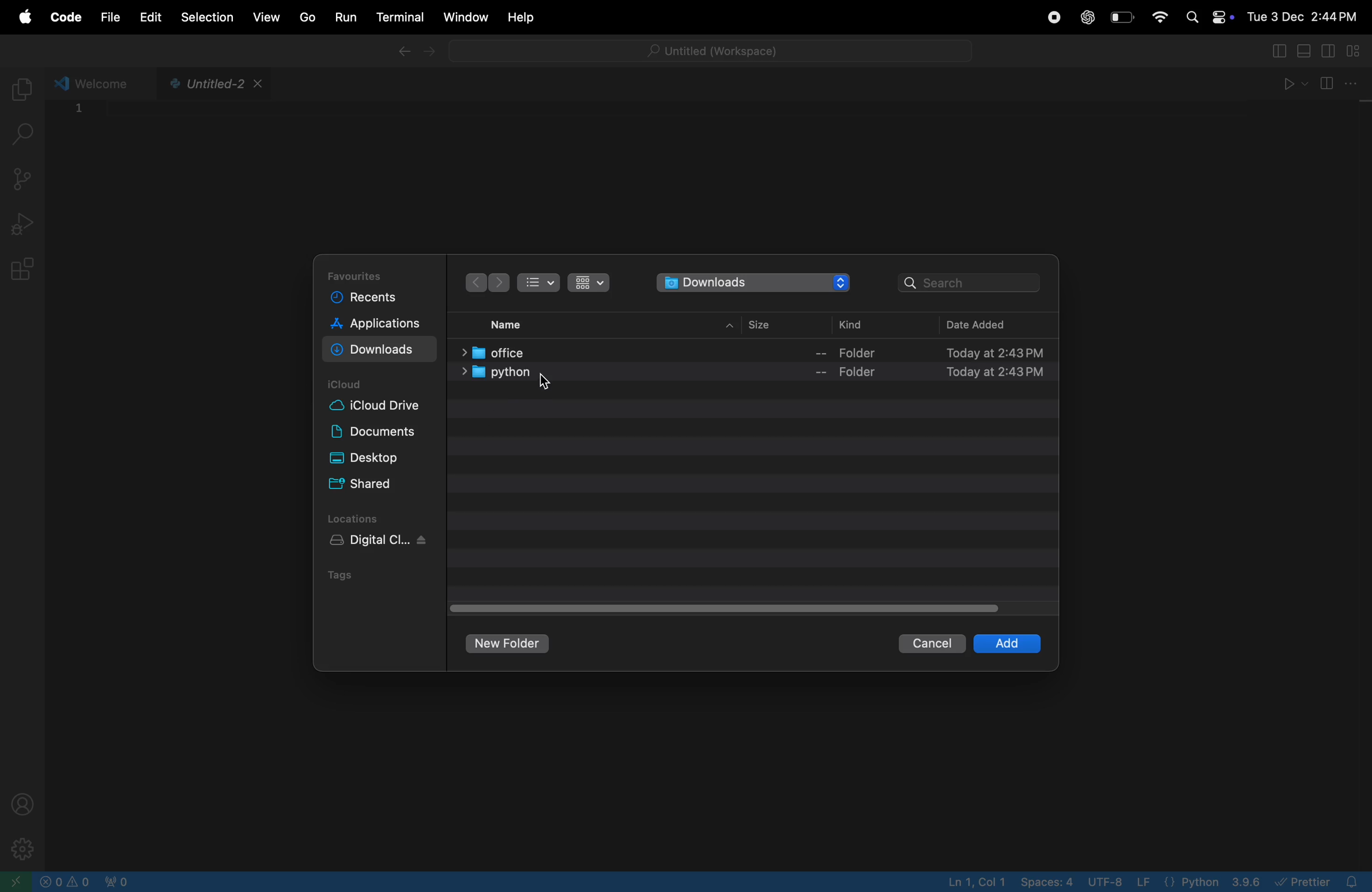 This screenshot has width=1372, height=892. I want to click on toggle primary side bar, so click(1278, 50).